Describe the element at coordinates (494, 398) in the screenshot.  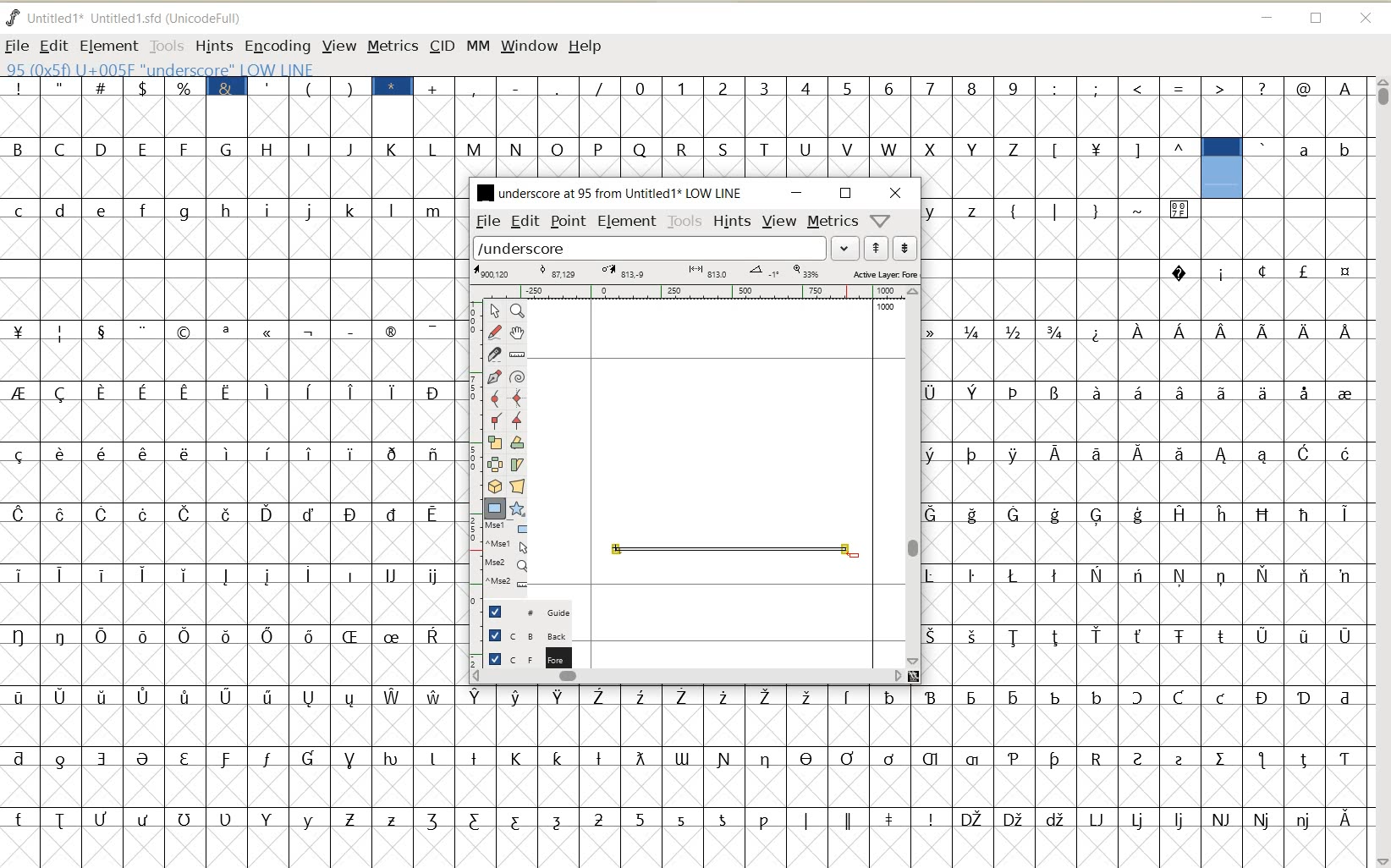
I see `add a curve point` at that location.